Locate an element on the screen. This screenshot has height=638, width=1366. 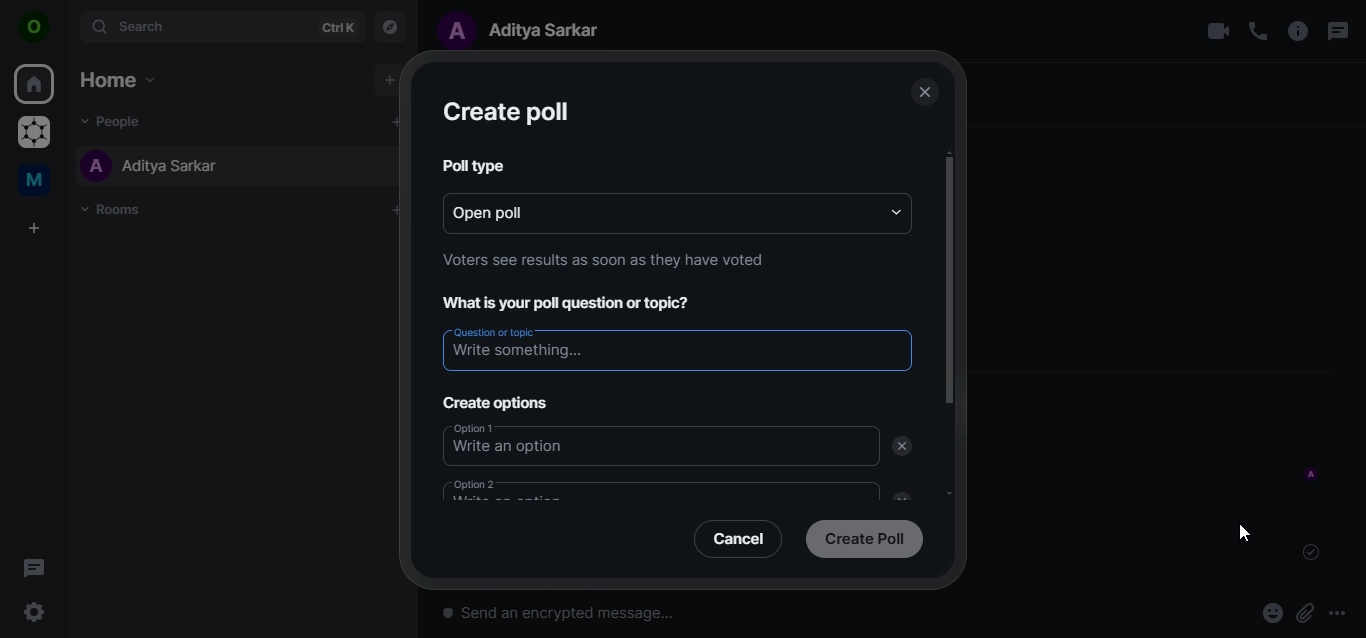
view profile is located at coordinates (35, 29).